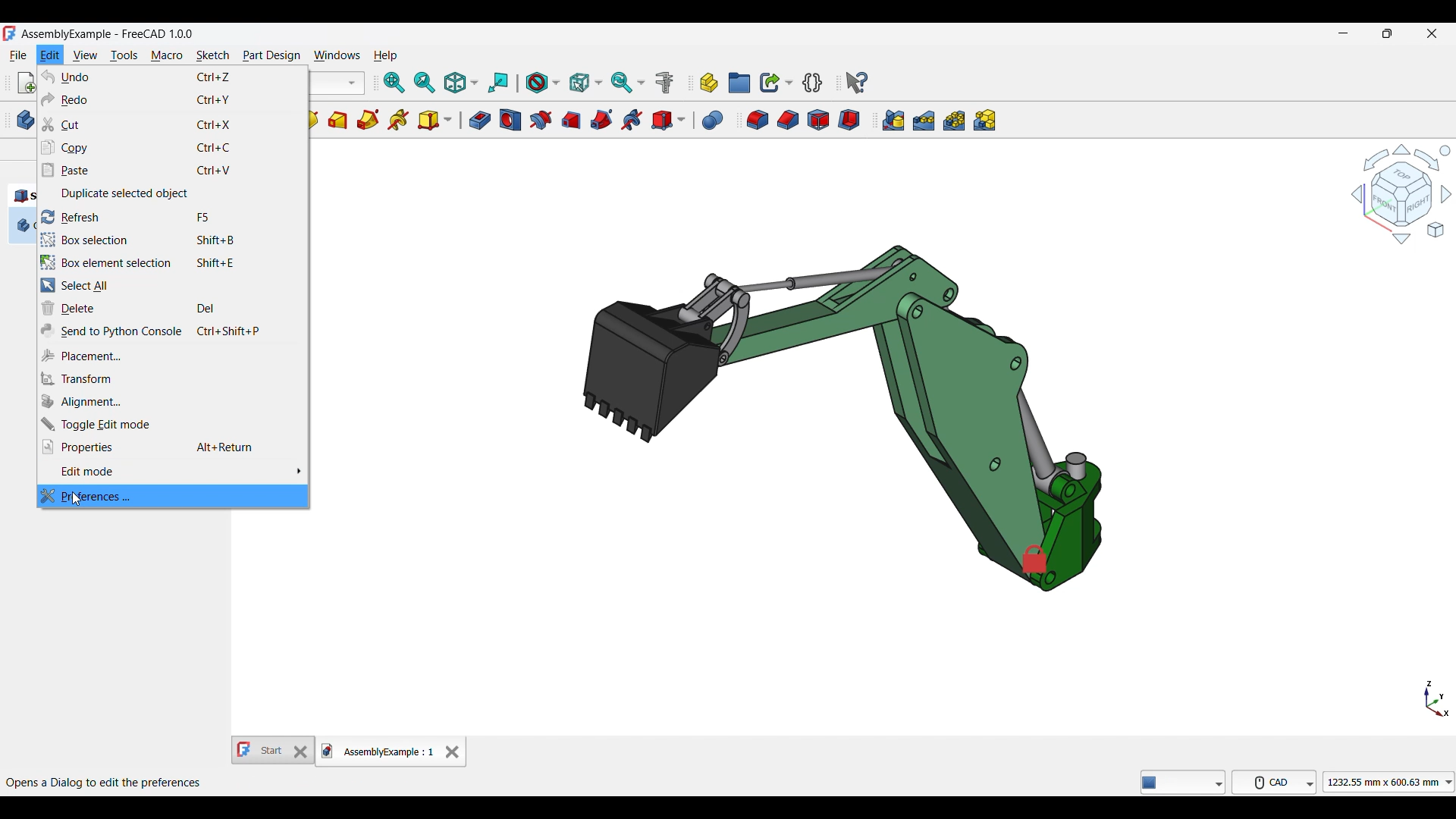  Describe the element at coordinates (173, 355) in the screenshot. I see `Placement ` at that location.